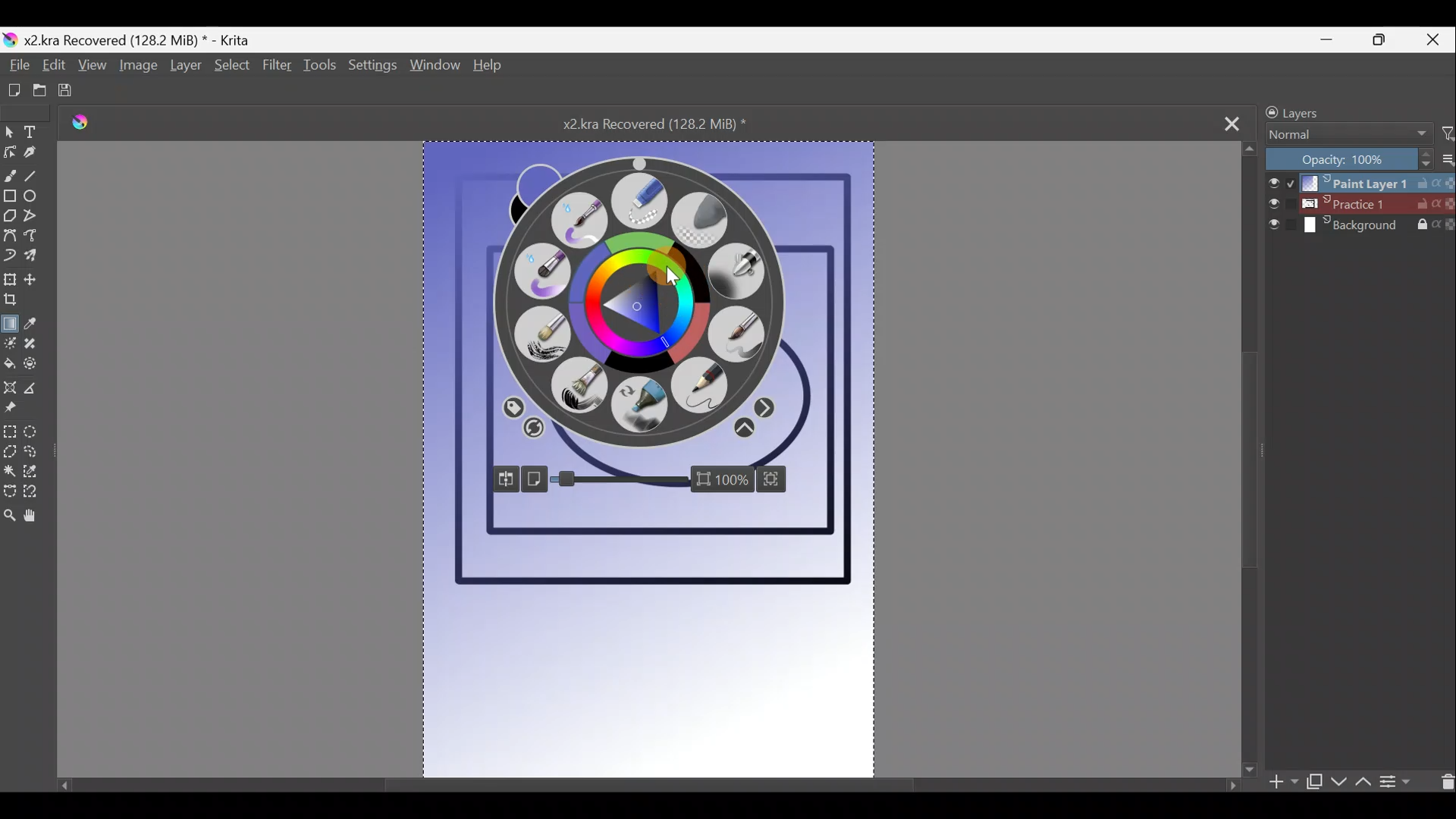 The width and height of the screenshot is (1456, 819). What do you see at coordinates (322, 69) in the screenshot?
I see `Tools` at bounding box center [322, 69].